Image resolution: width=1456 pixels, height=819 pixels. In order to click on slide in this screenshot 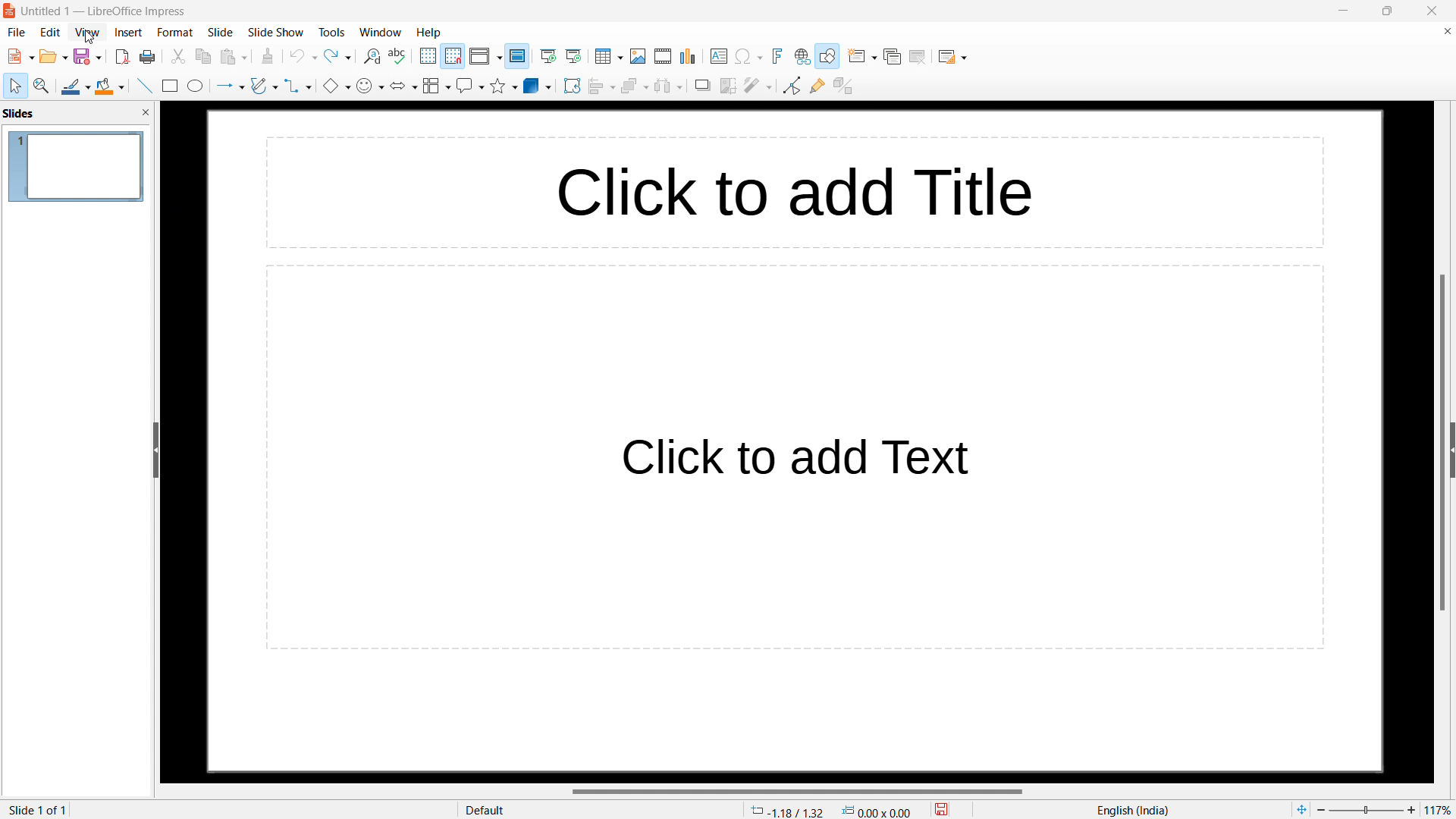, I will do `click(220, 32)`.